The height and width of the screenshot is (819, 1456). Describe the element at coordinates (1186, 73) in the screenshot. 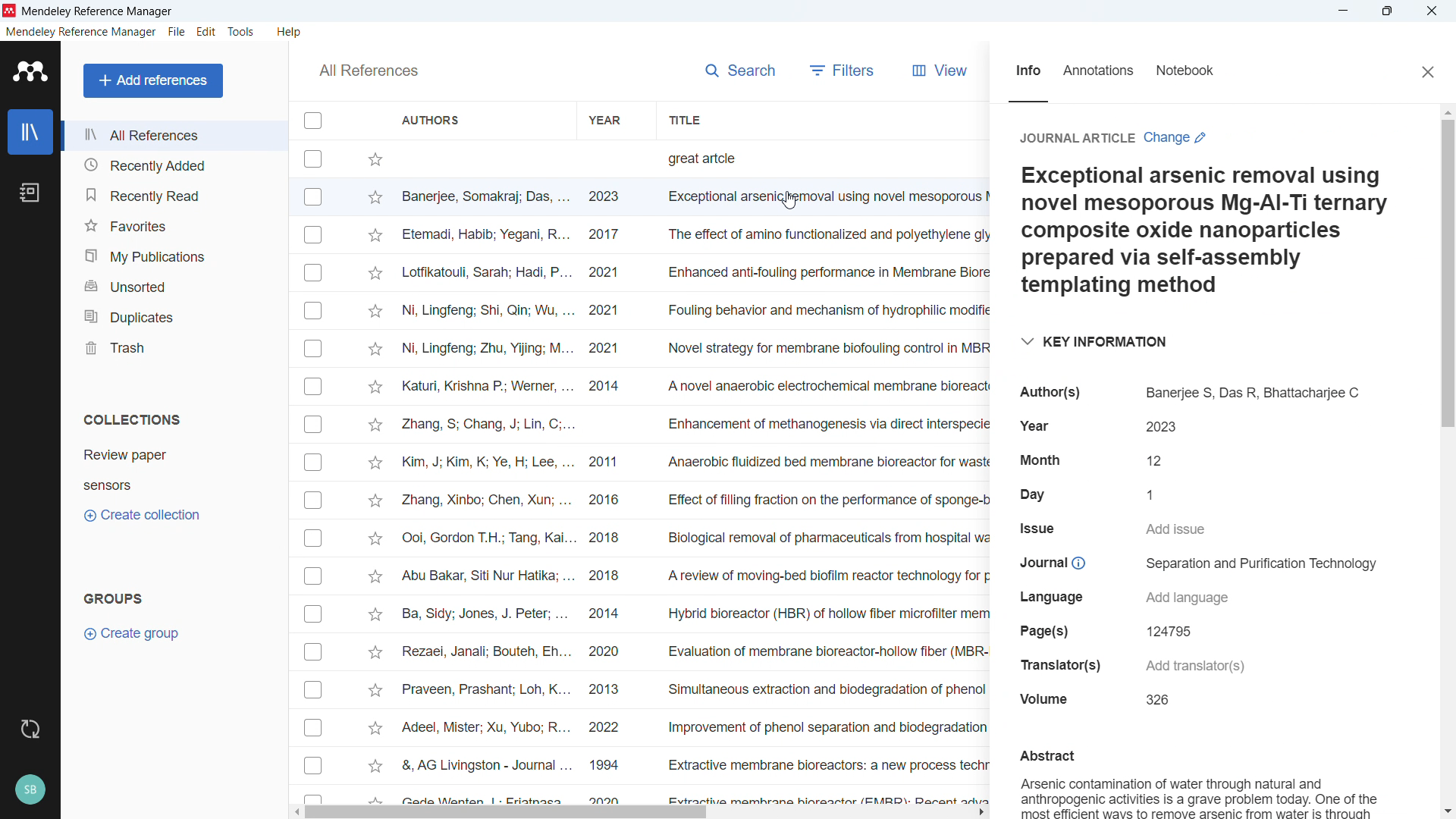

I see `Notebook ` at that location.